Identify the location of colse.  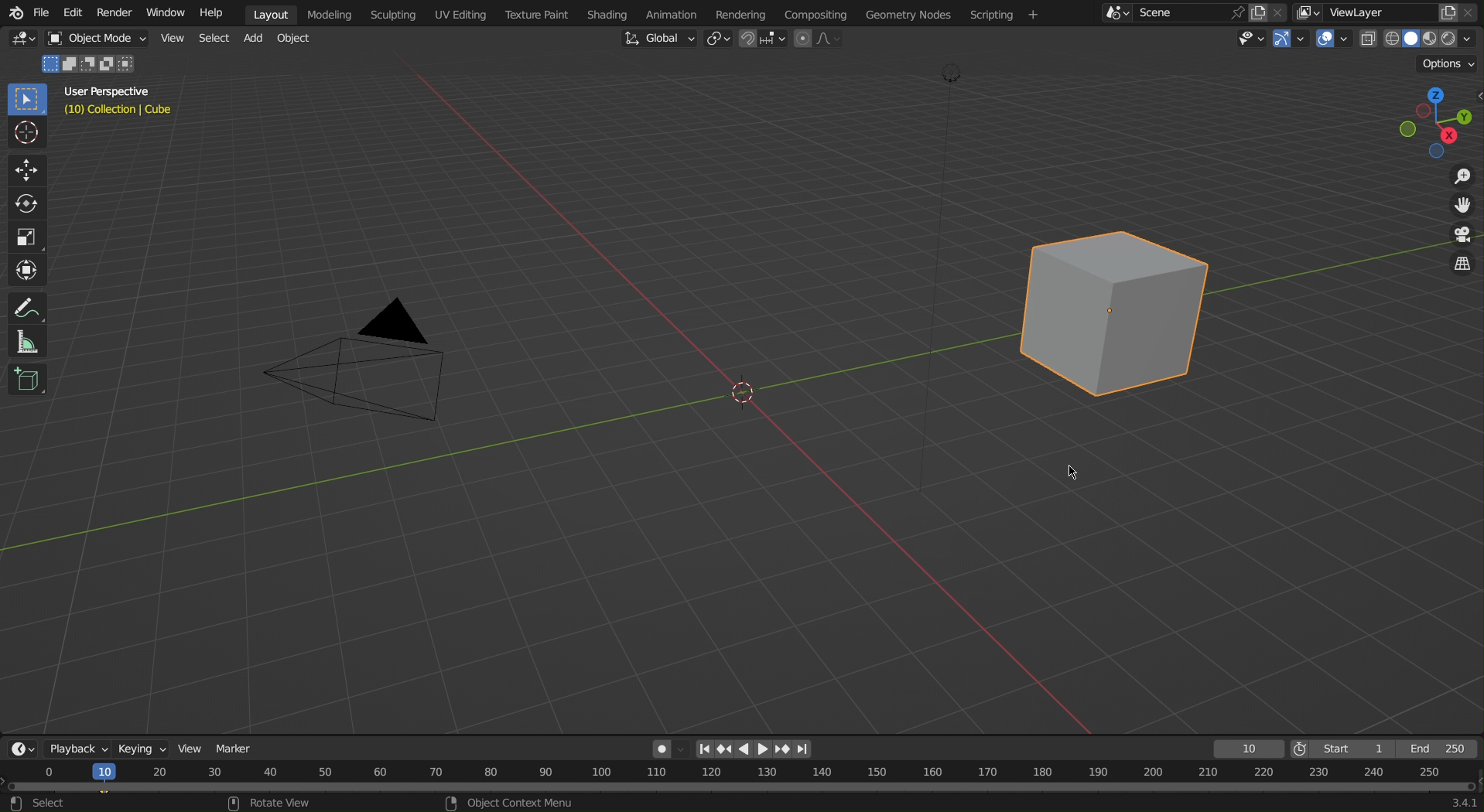
(1284, 11).